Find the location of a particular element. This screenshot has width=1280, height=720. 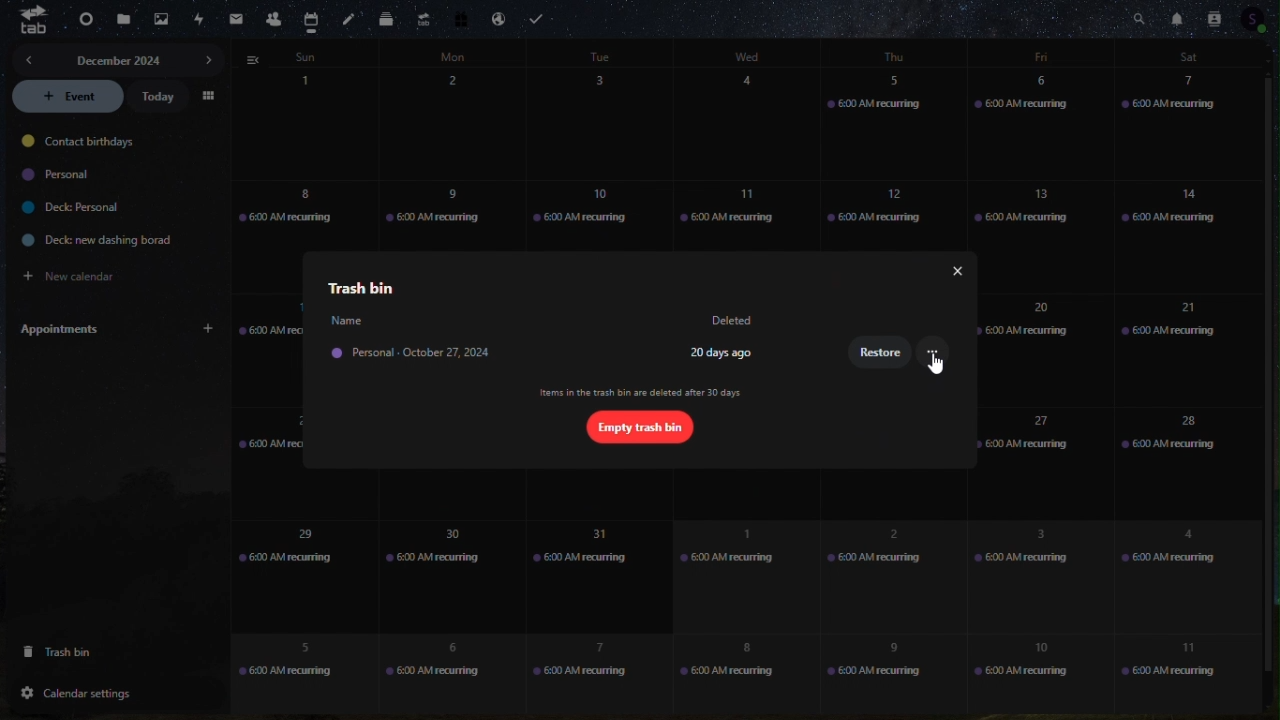

restore is located at coordinates (882, 355).